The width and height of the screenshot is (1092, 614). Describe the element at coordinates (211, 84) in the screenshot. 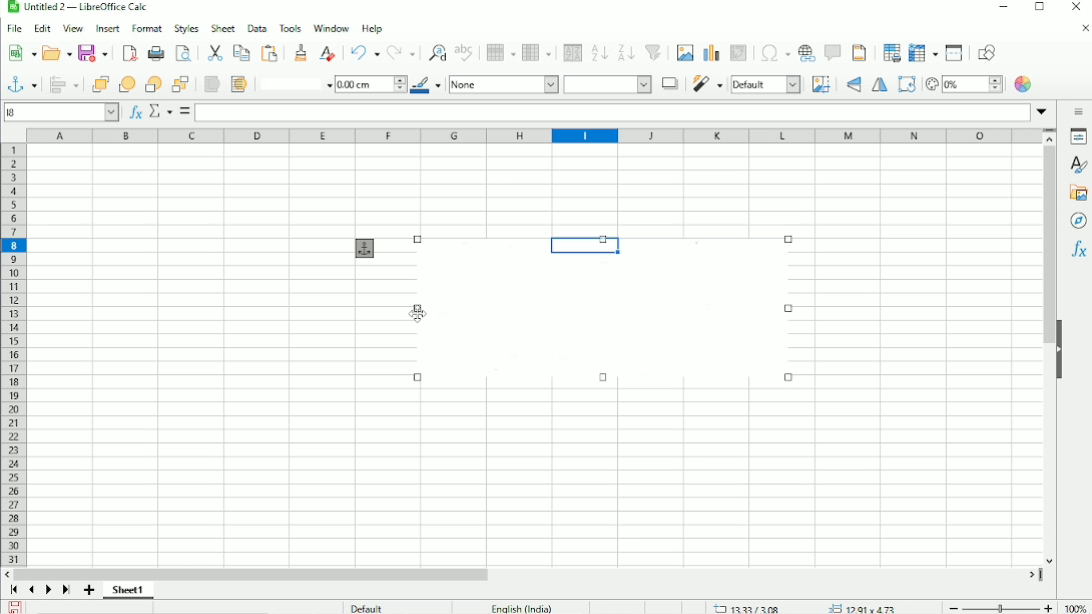

I see `To foreground` at that location.